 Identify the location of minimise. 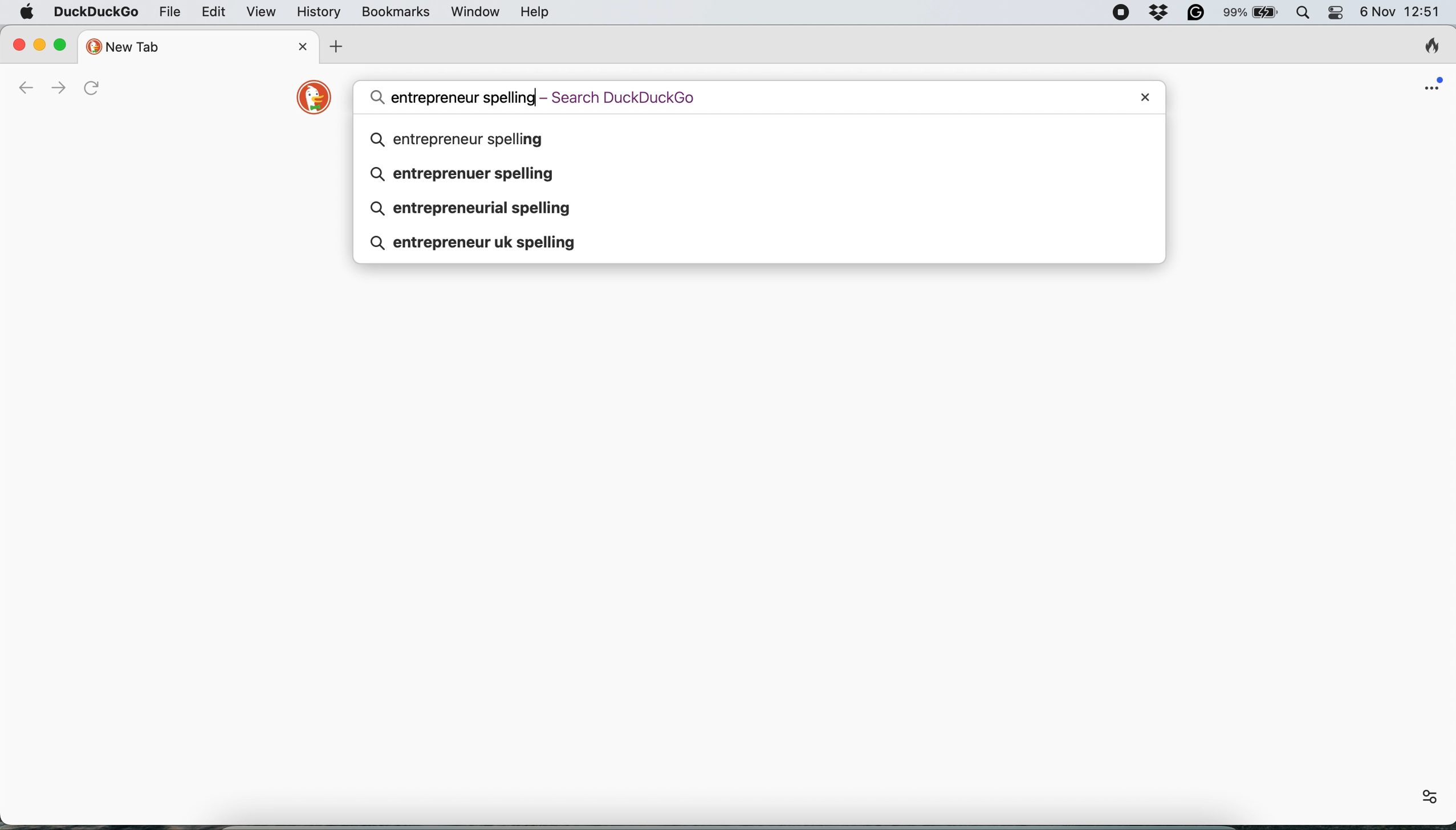
(41, 44).